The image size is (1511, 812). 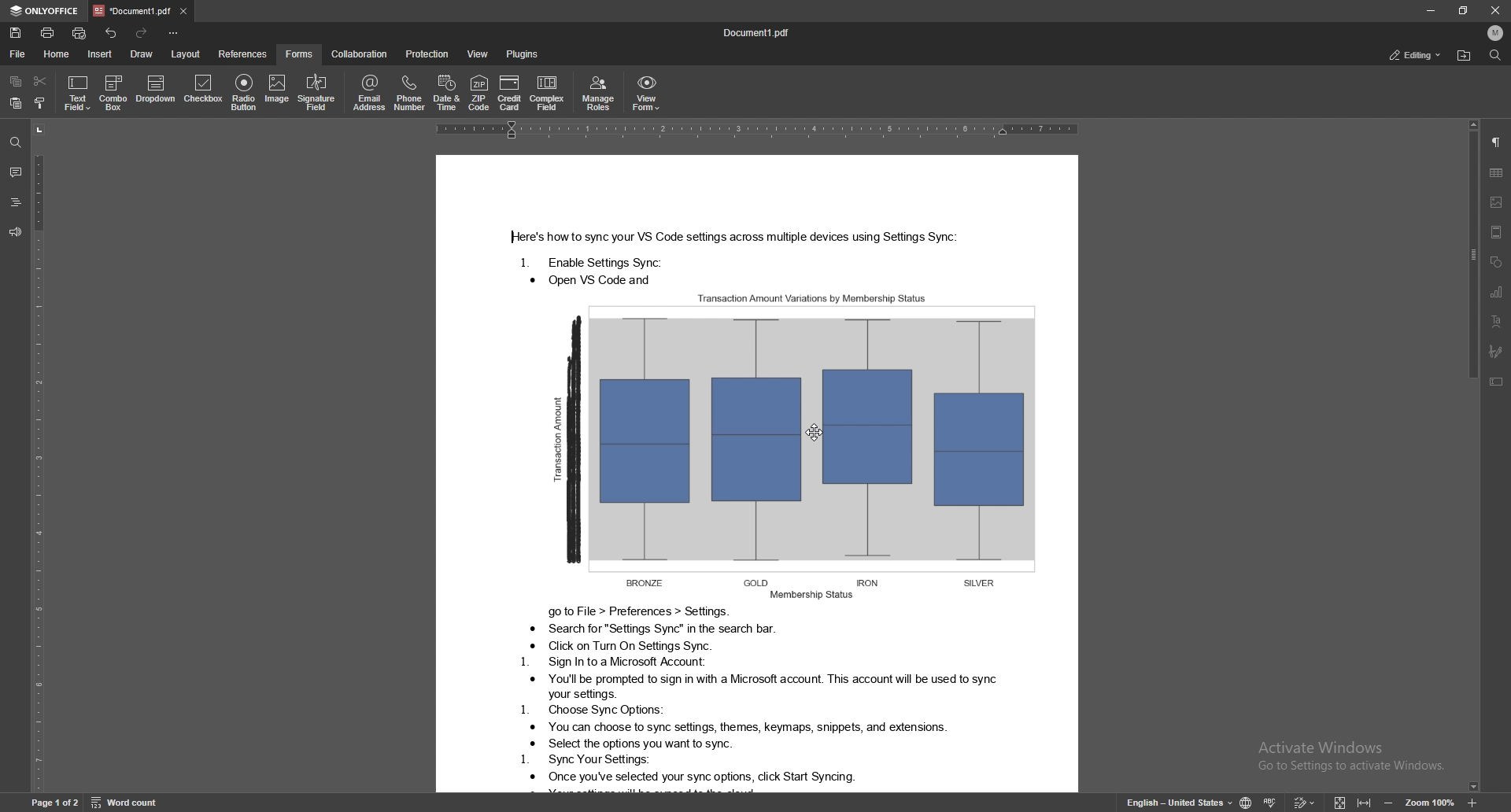 I want to click on fit to width, so click(x=1363, y=803).